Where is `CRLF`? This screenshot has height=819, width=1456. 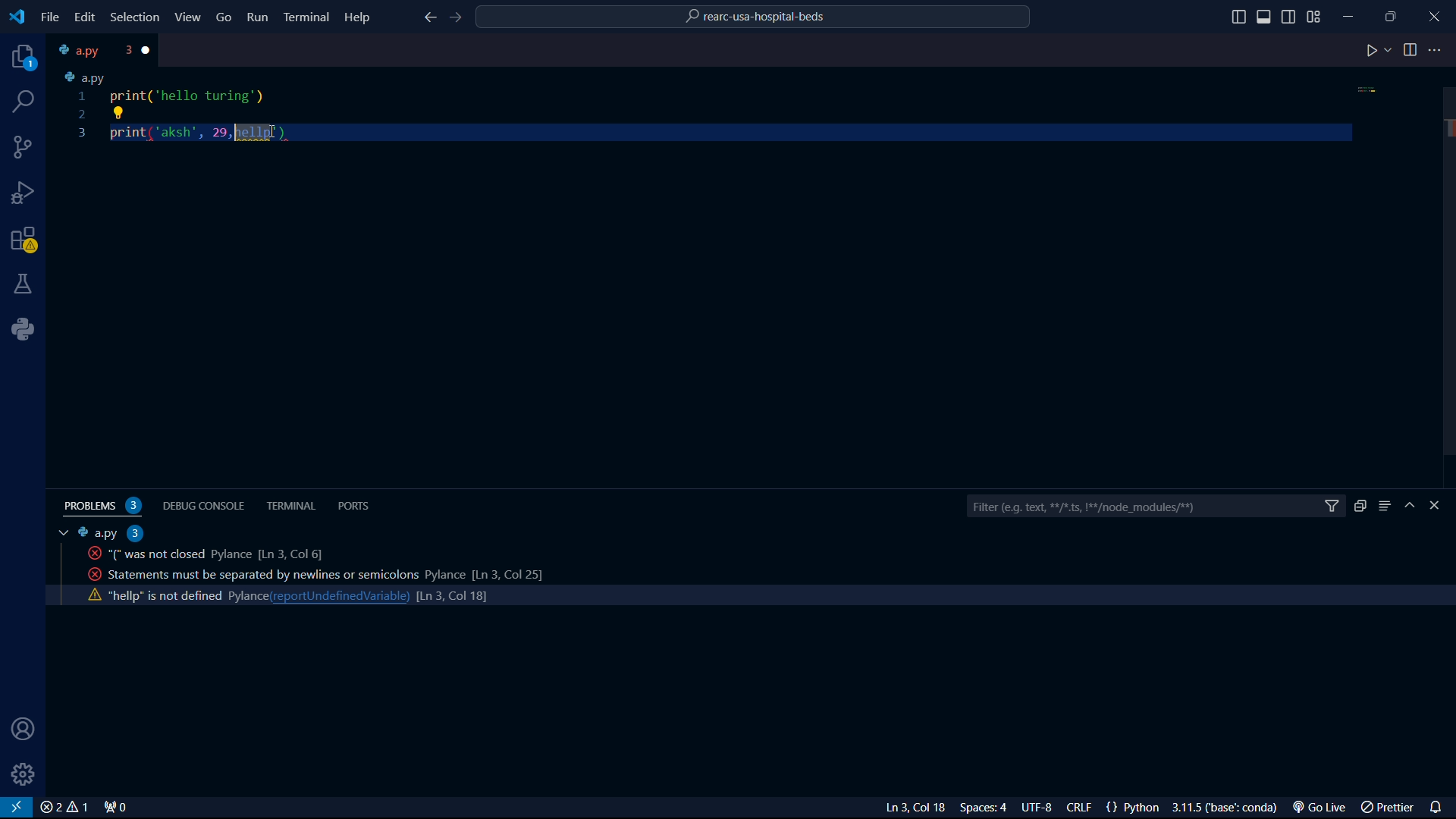
CRLF is located at coordinates (1082, 808).